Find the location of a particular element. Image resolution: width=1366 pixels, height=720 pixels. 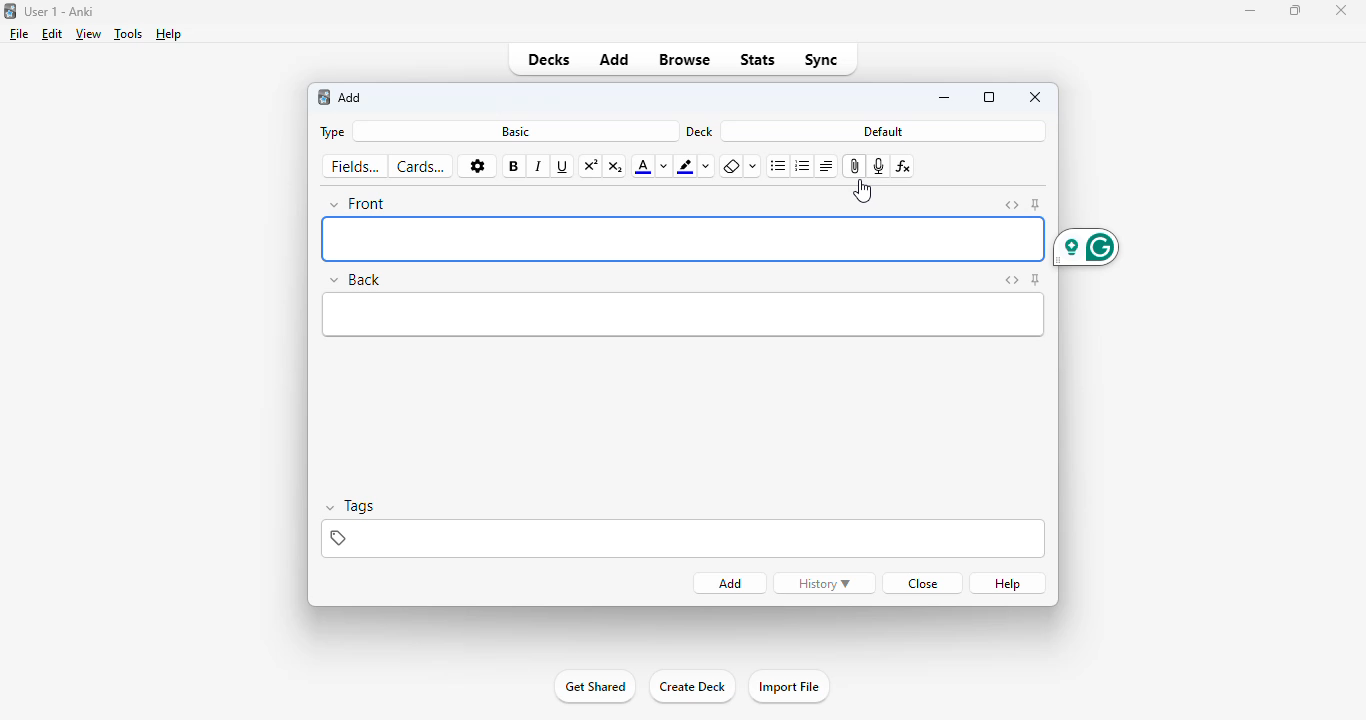

toggle sticky is located at coordinates (1036, 280).